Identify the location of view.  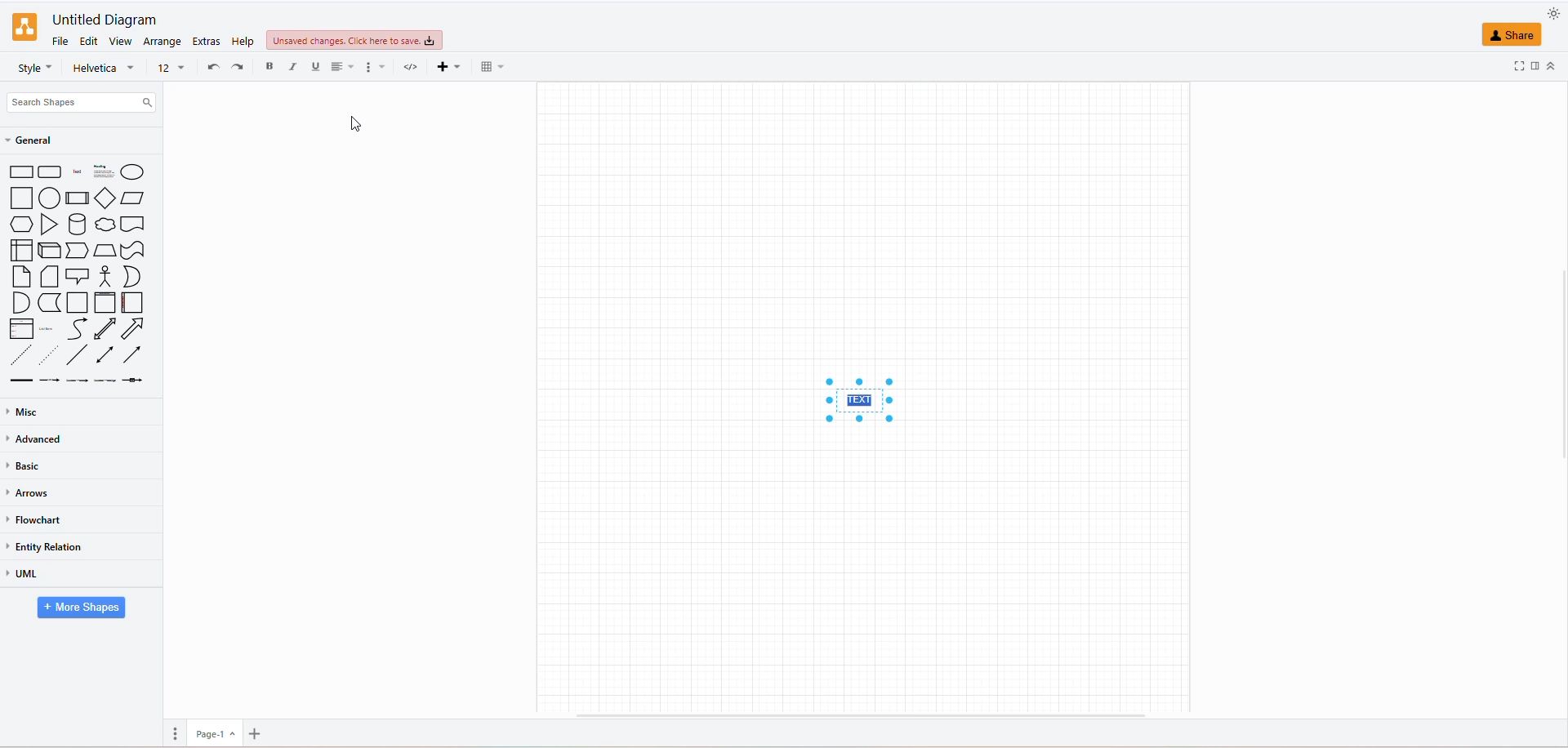
(120, 43).